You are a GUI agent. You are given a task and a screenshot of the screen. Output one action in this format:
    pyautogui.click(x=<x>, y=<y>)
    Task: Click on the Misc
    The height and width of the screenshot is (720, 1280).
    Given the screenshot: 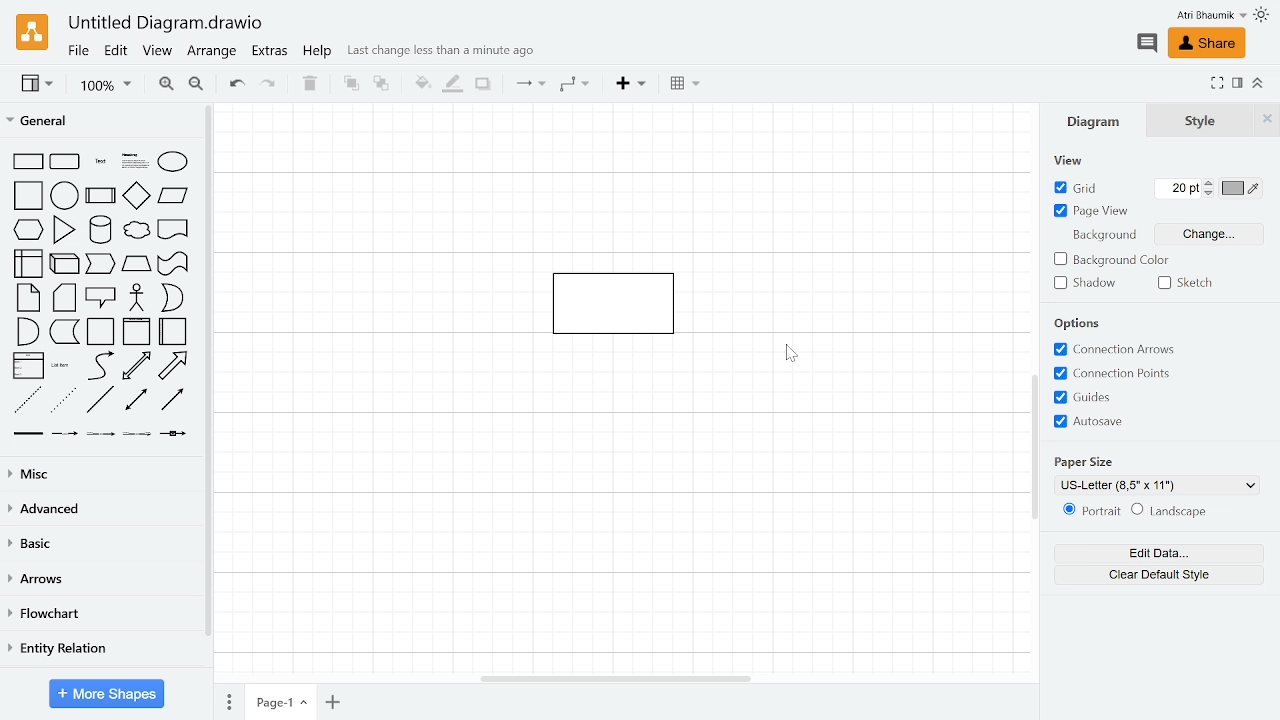 What is the action you would take?
    pyautogui.click(x=102, y=474)
    